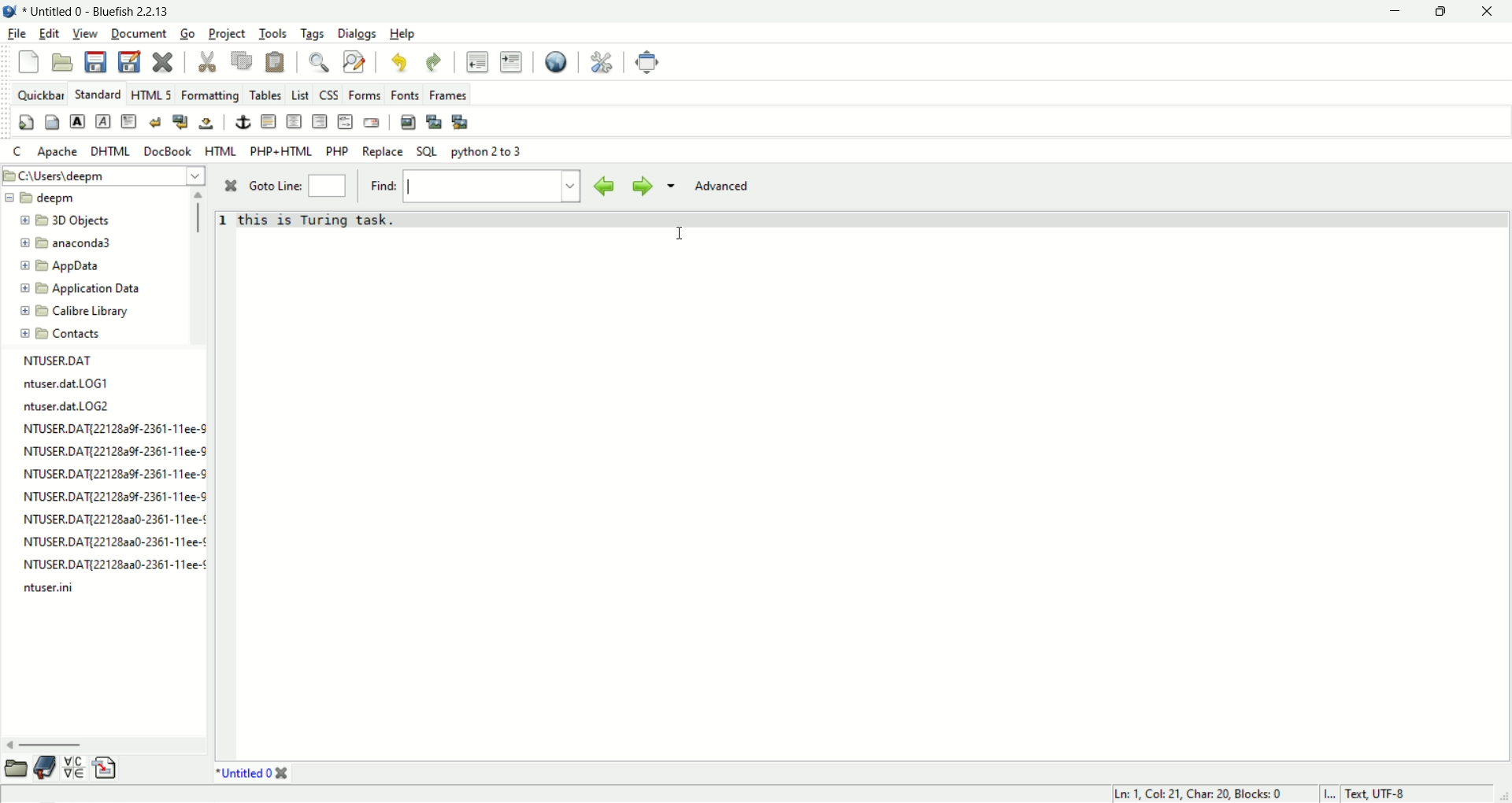 The height and width of the screenshot is (803, 1512). I want to click on Application Data, so click(83, 289).